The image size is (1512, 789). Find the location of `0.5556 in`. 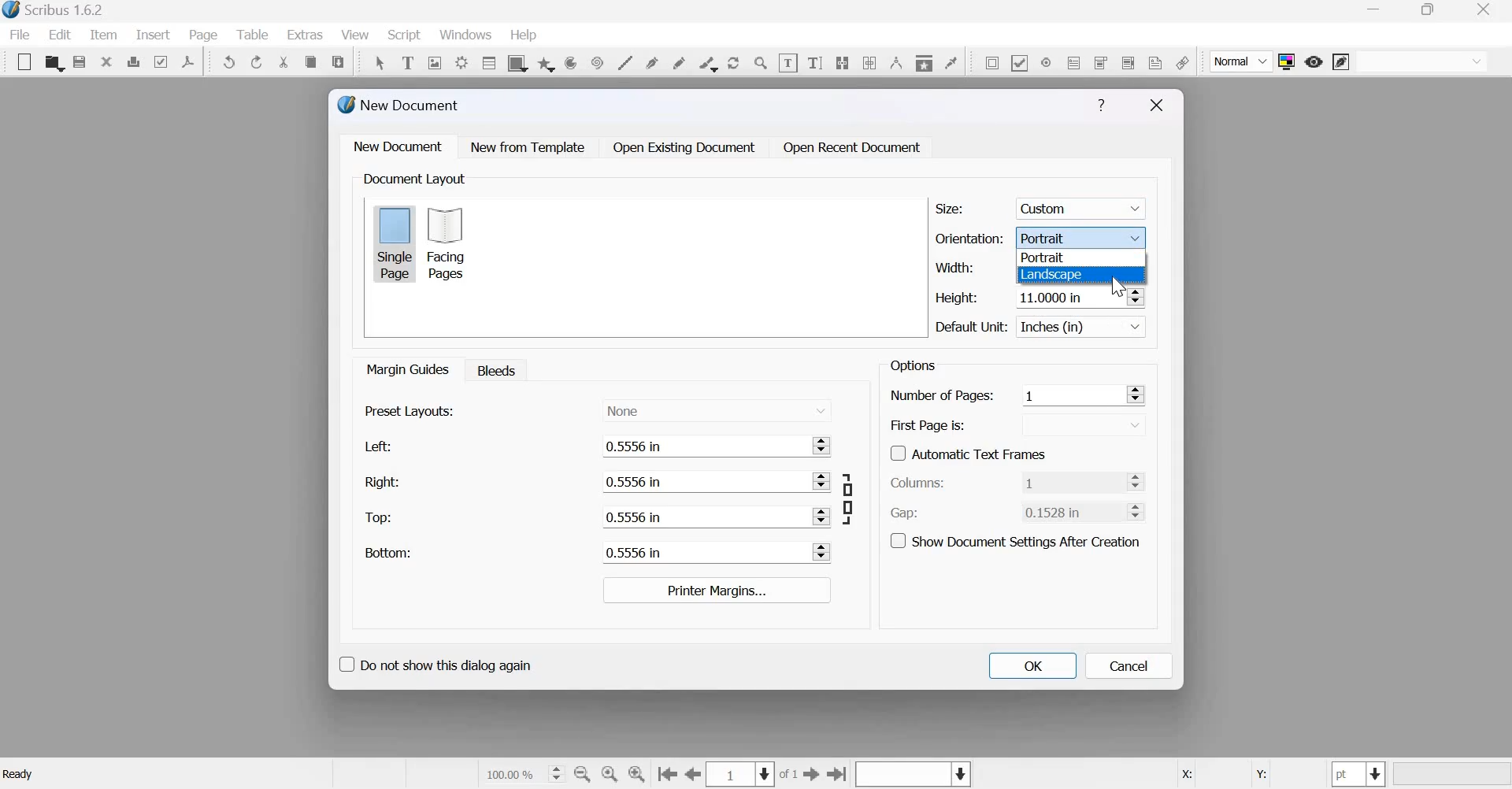

0.5556 in is located at coordinates (700, 551).